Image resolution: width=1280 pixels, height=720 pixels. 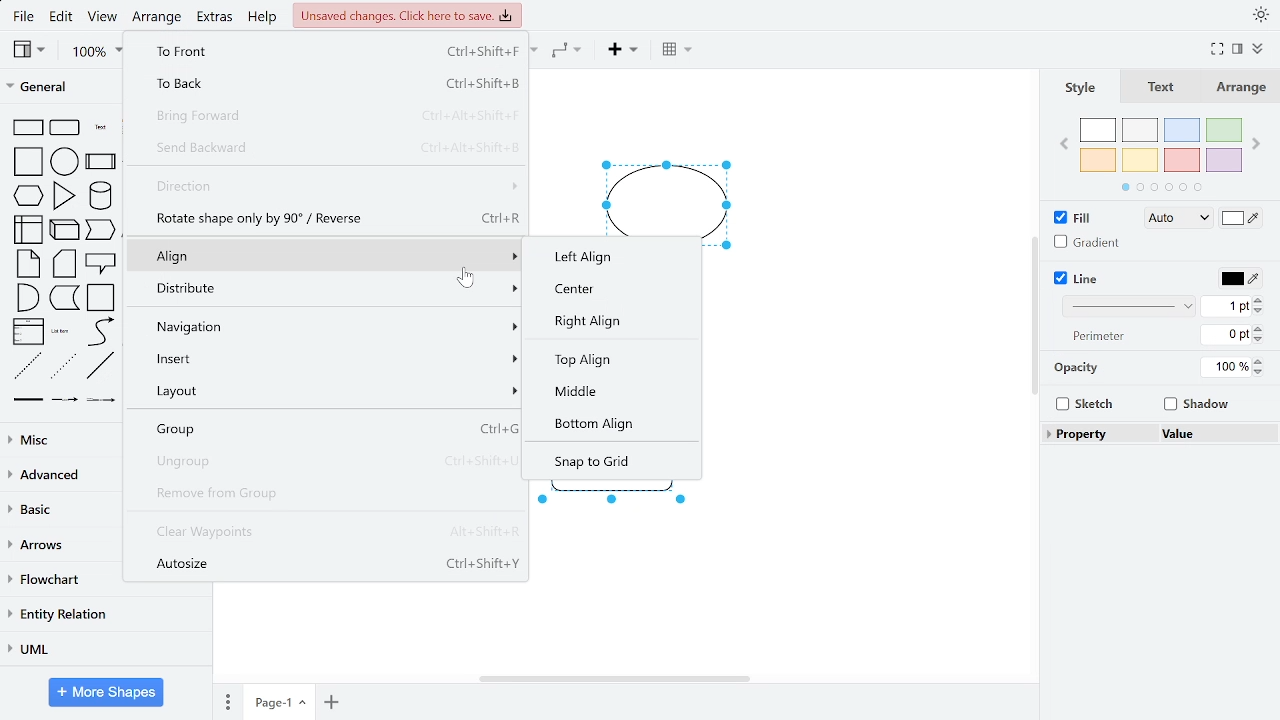 I want to click on hexagon, so click(x=29, y=194).